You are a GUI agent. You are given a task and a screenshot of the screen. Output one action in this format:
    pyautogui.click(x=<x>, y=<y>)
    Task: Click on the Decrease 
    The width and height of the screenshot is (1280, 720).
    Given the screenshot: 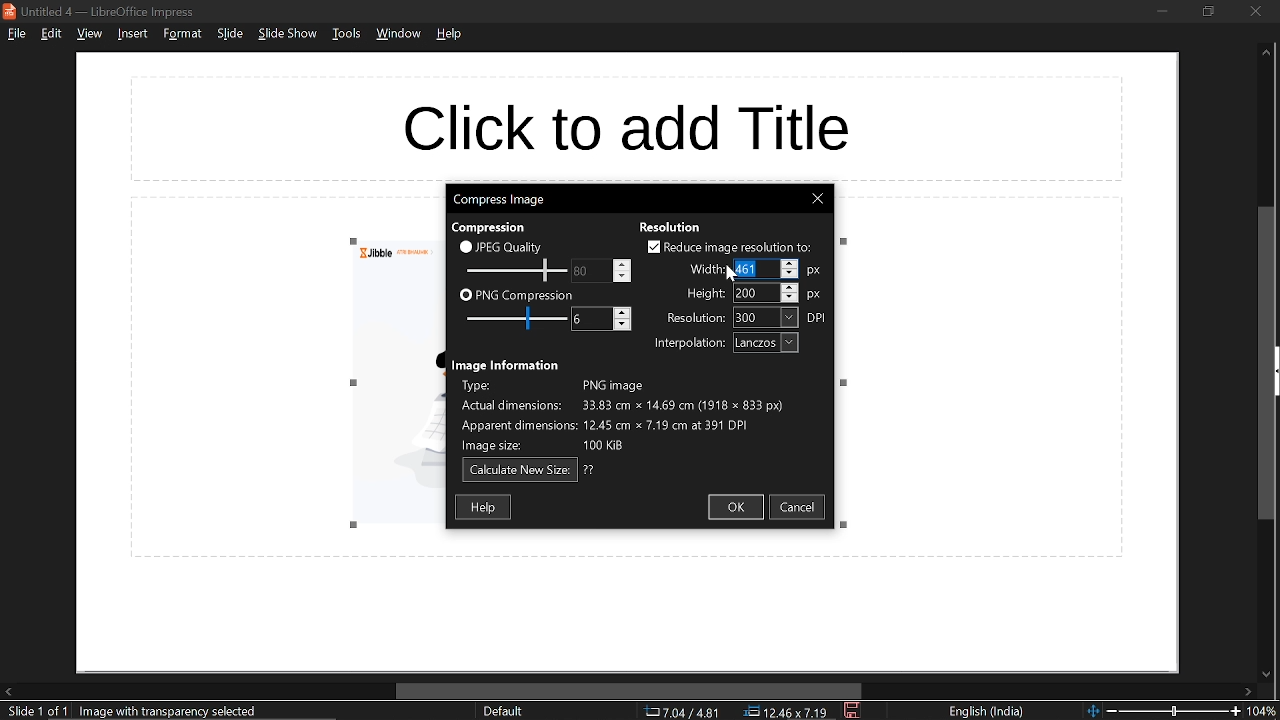 What is the action you would take?
    pyautogui.click(x=790, y=275)
    